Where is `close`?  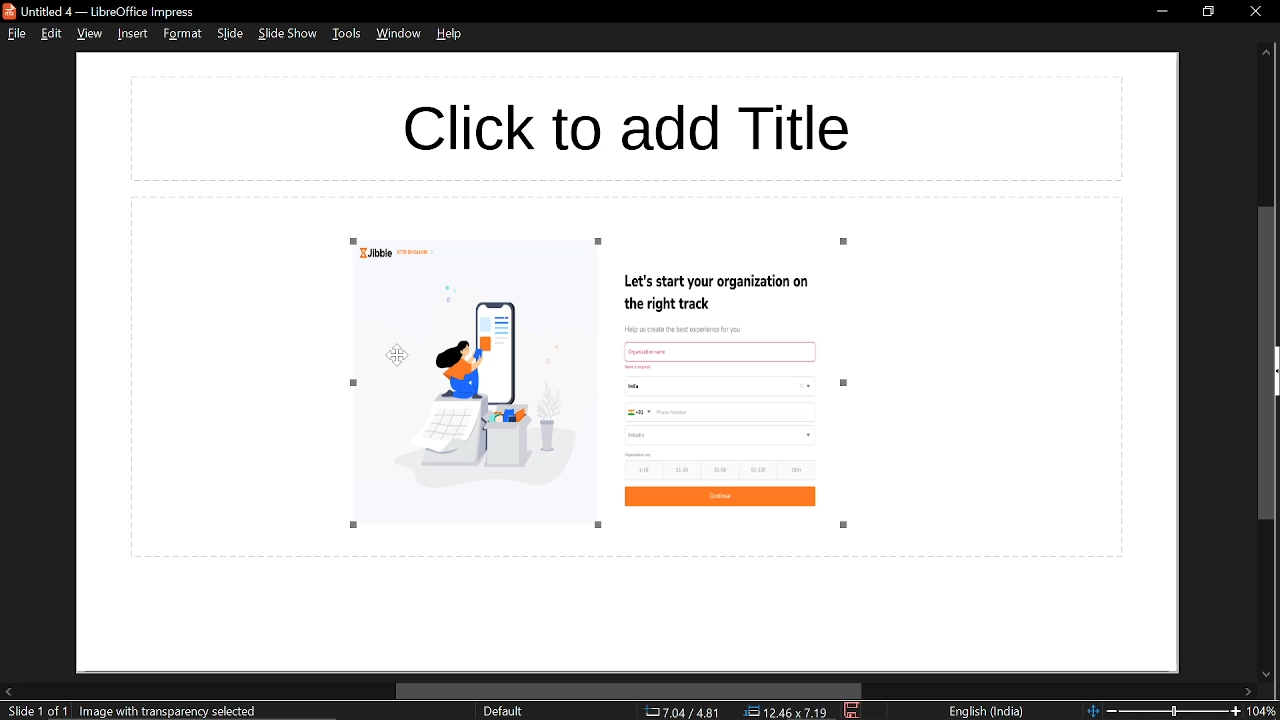 close is located at coordinates (1259, 13).